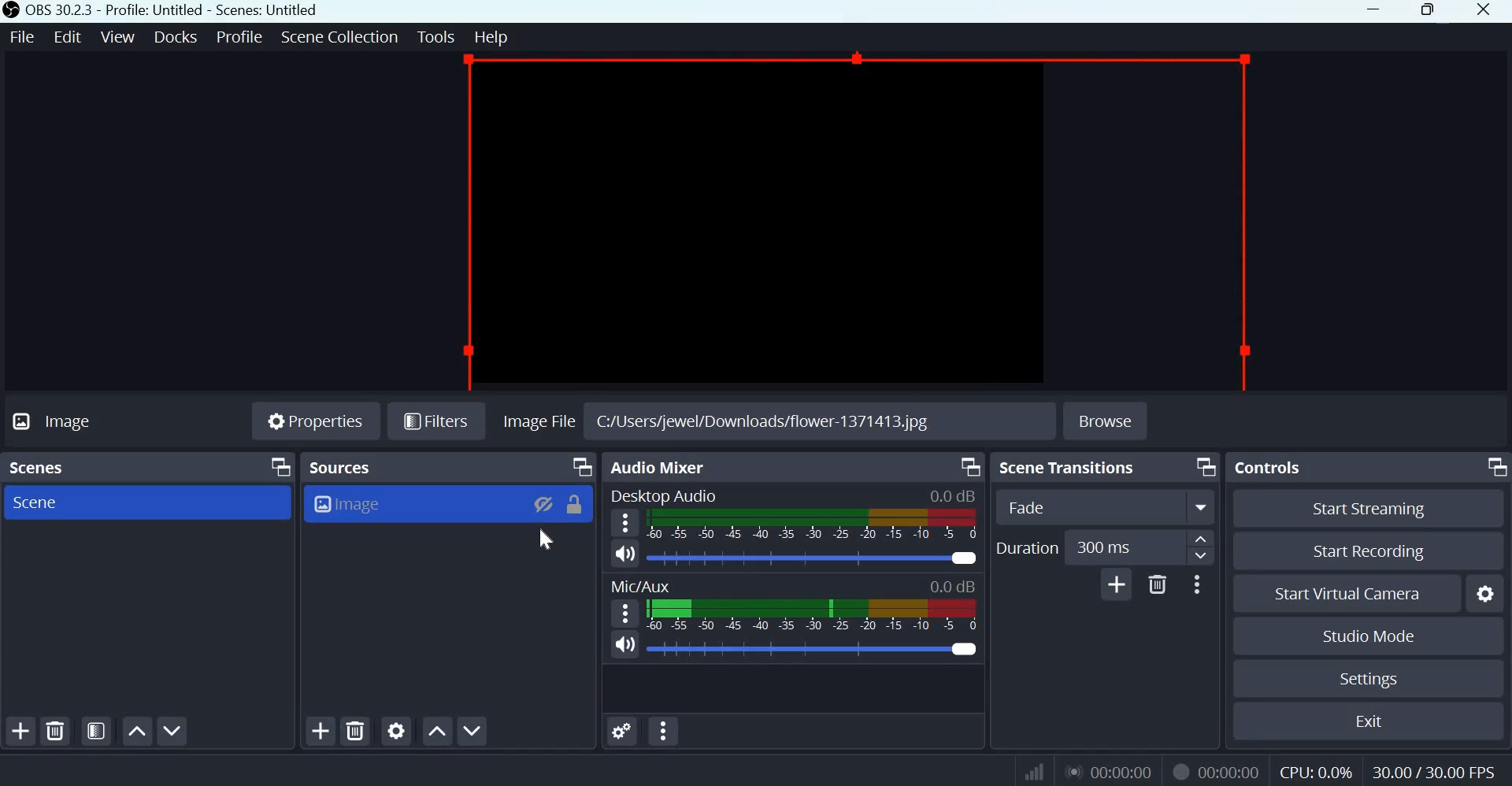 The height and width of the screenshot is (786, 1512). I want to click on docks, so click(176, 34).